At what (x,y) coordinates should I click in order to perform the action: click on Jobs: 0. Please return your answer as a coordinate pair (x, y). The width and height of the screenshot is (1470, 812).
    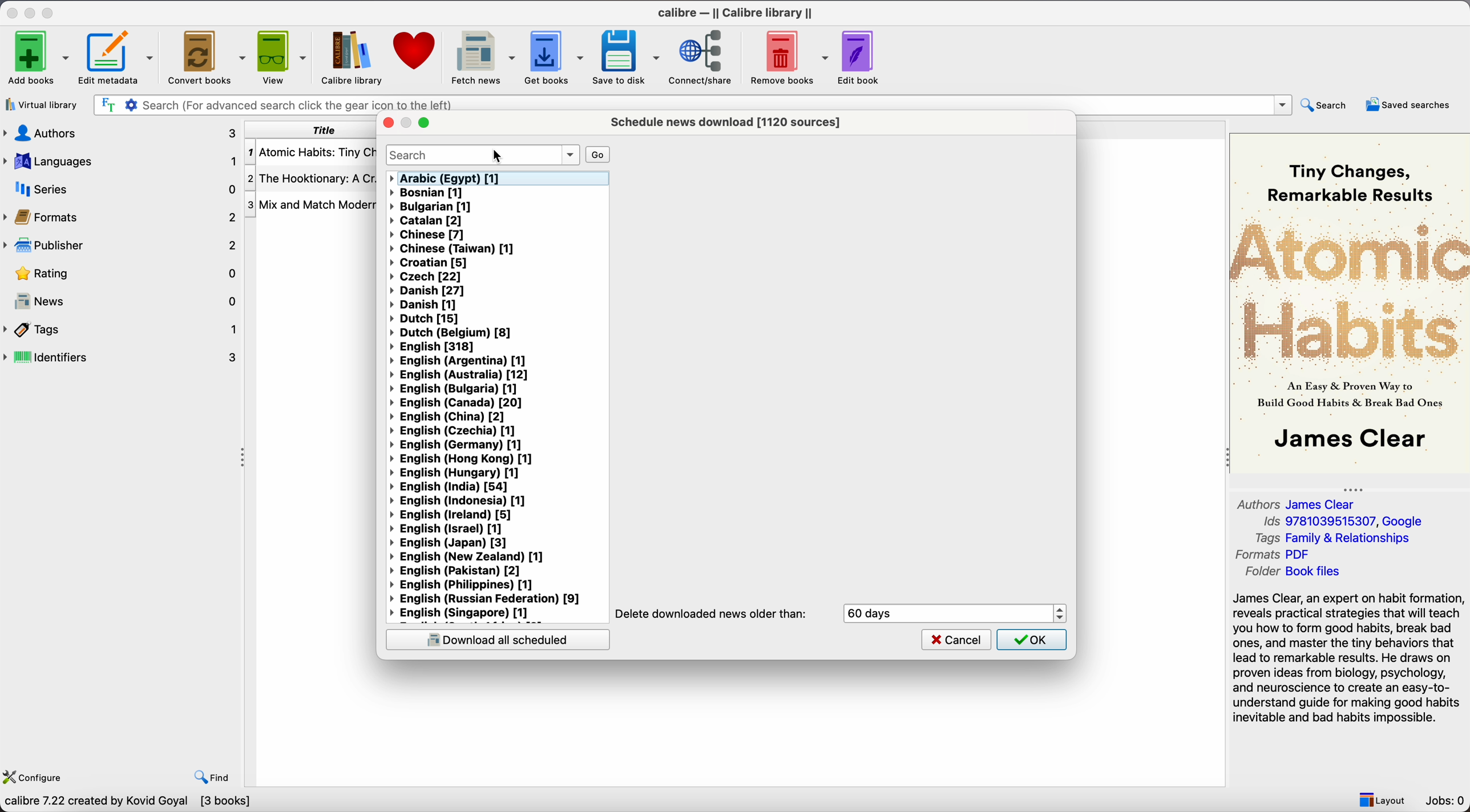
    Looking at the image, I should click on (1446, 801).